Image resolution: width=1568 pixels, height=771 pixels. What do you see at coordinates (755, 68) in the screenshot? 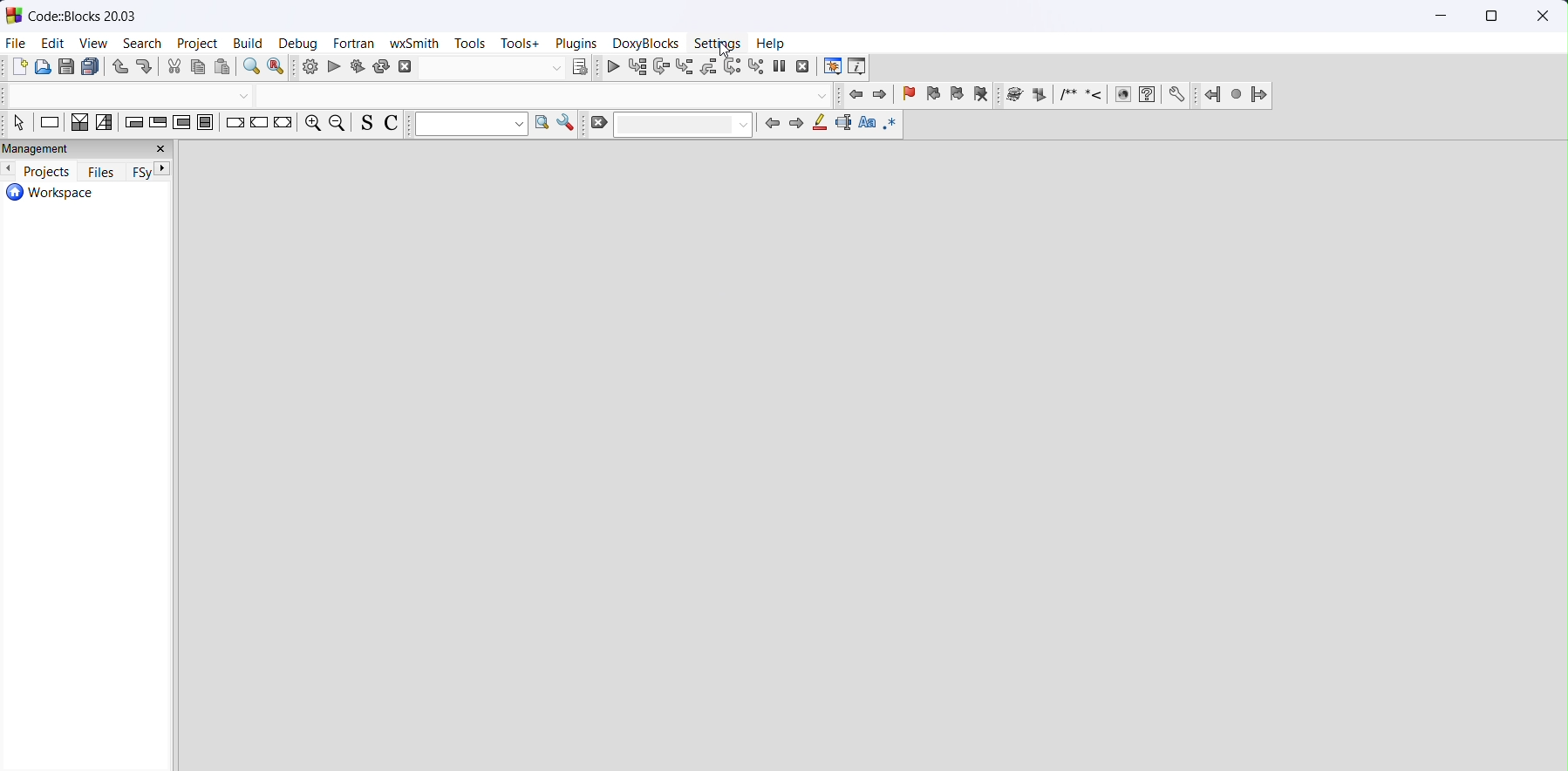
I see `step into instructions` at bounding box center [755, 68].